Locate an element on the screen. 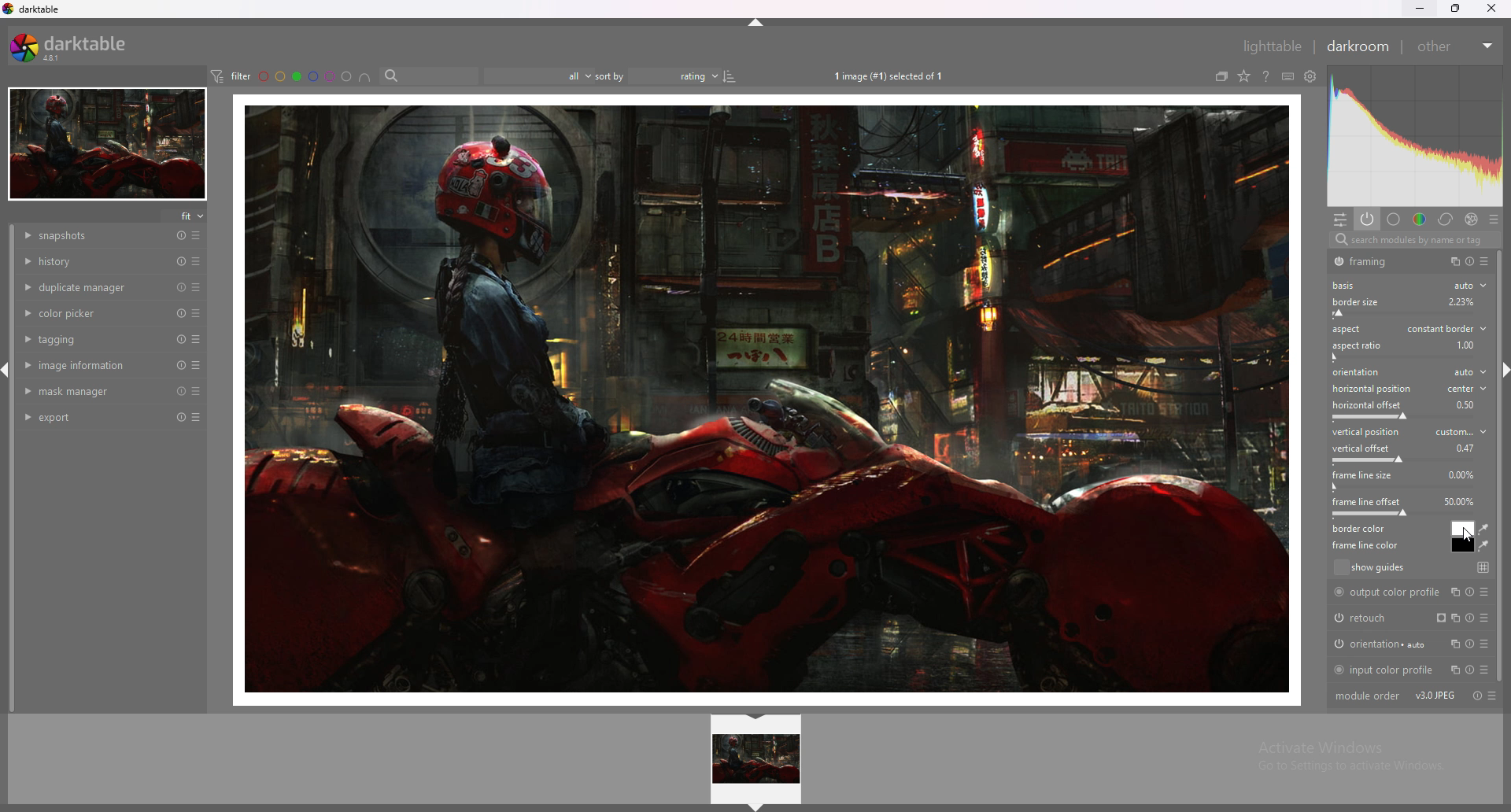  minimize is located at coordinates (1420, 7).